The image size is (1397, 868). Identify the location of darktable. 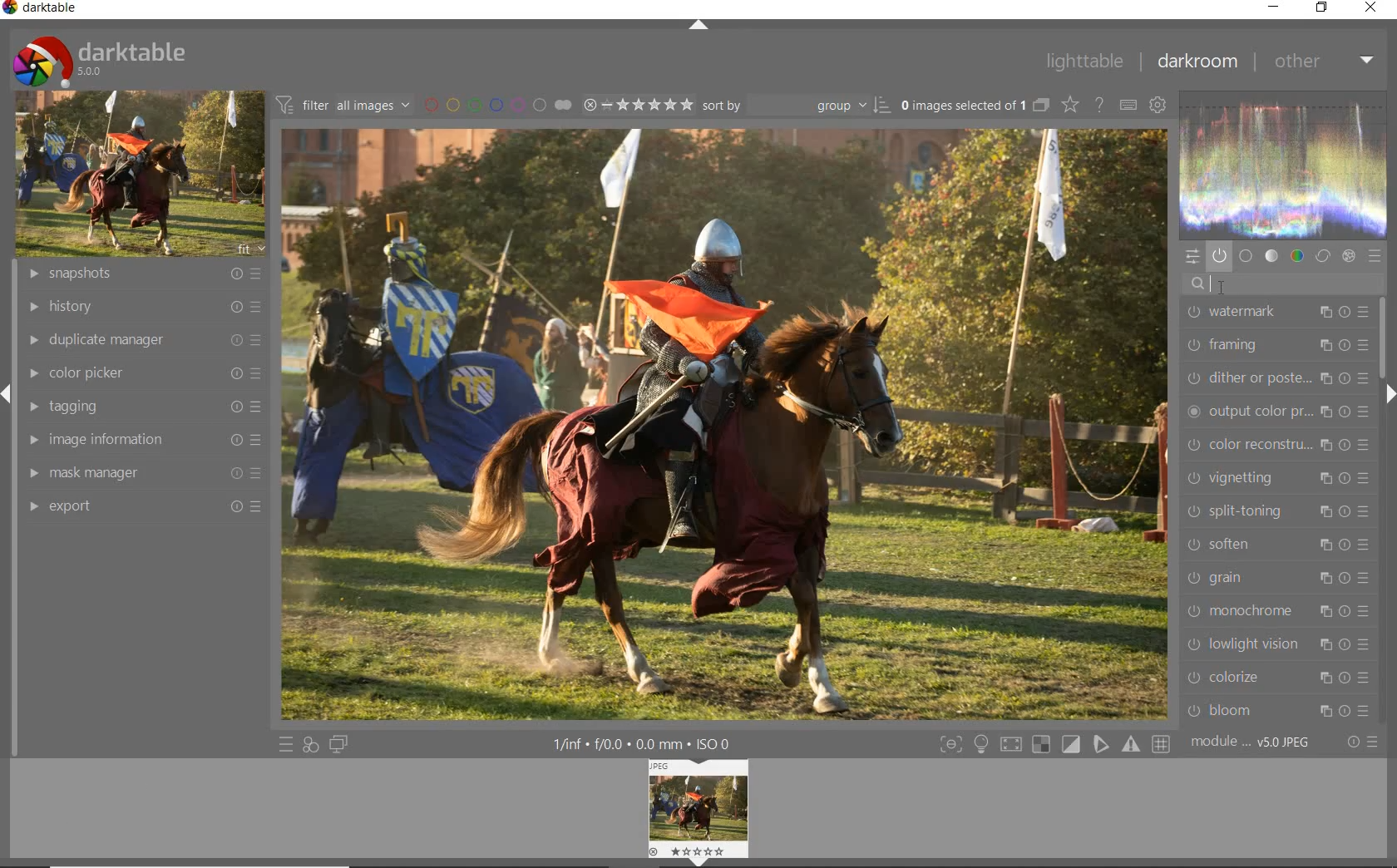
(98, 57).